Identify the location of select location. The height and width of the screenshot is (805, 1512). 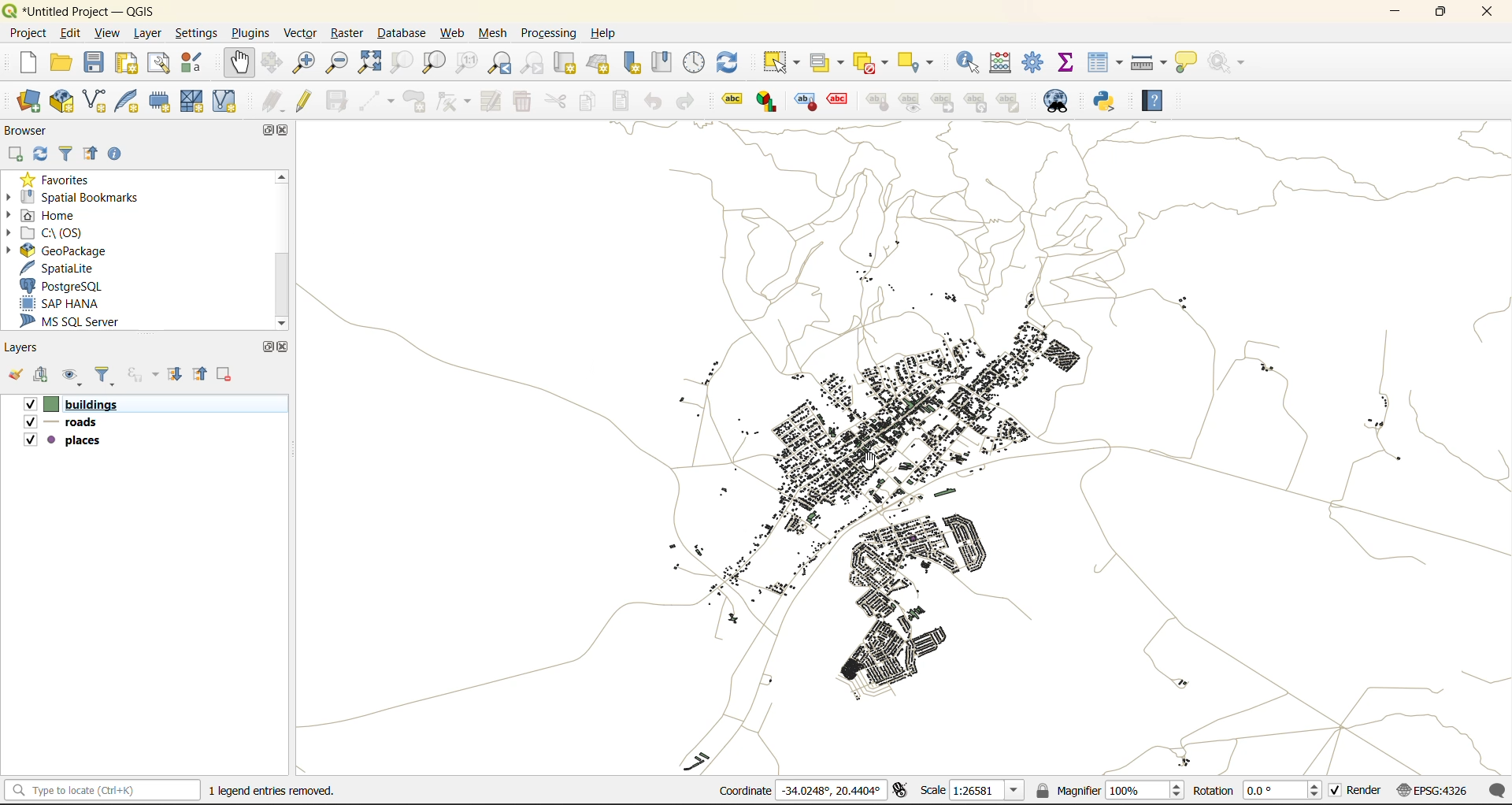
(925, 63).